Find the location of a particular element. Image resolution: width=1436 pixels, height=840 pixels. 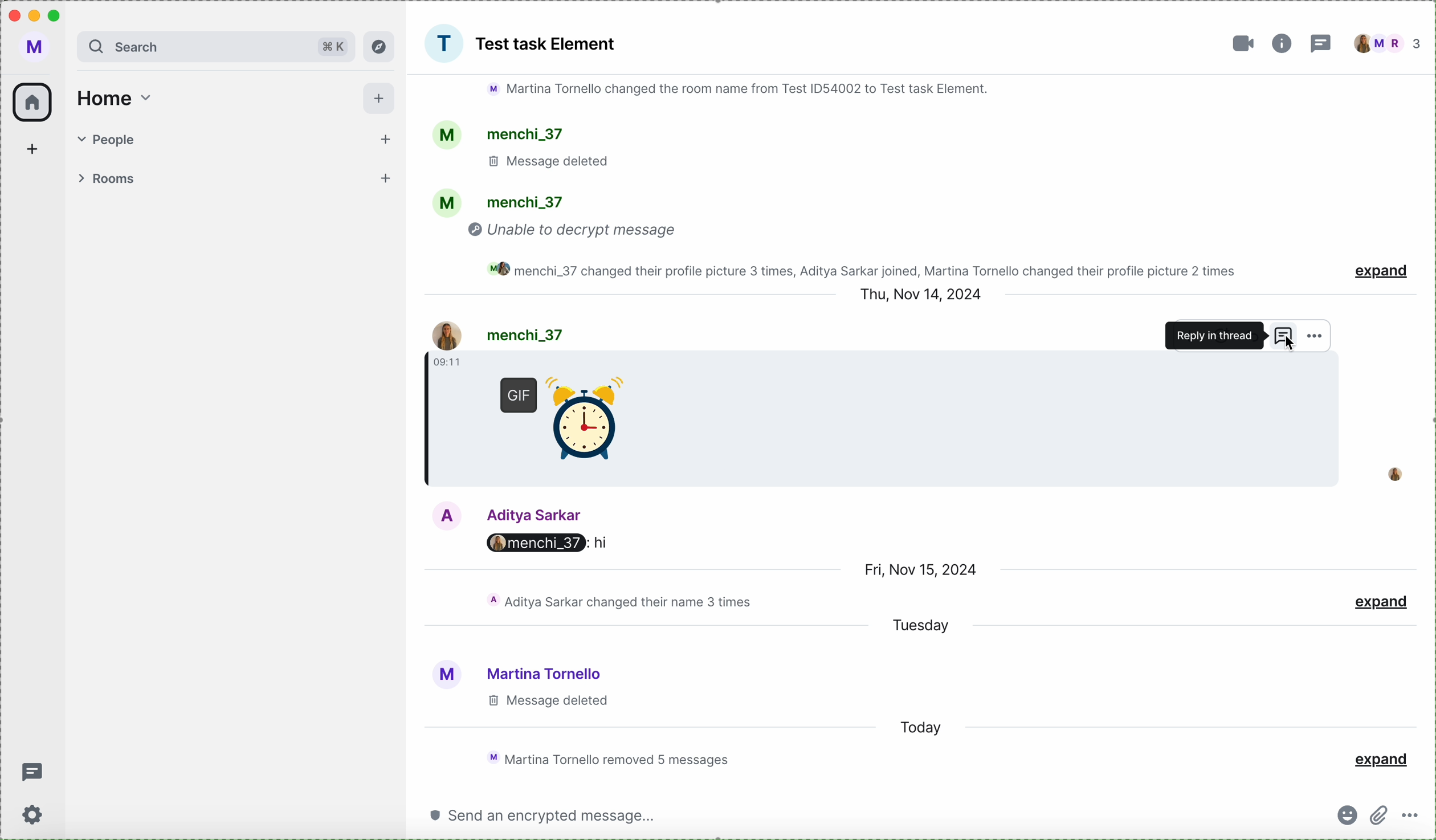

more options is located at coordinates (1314, 337).